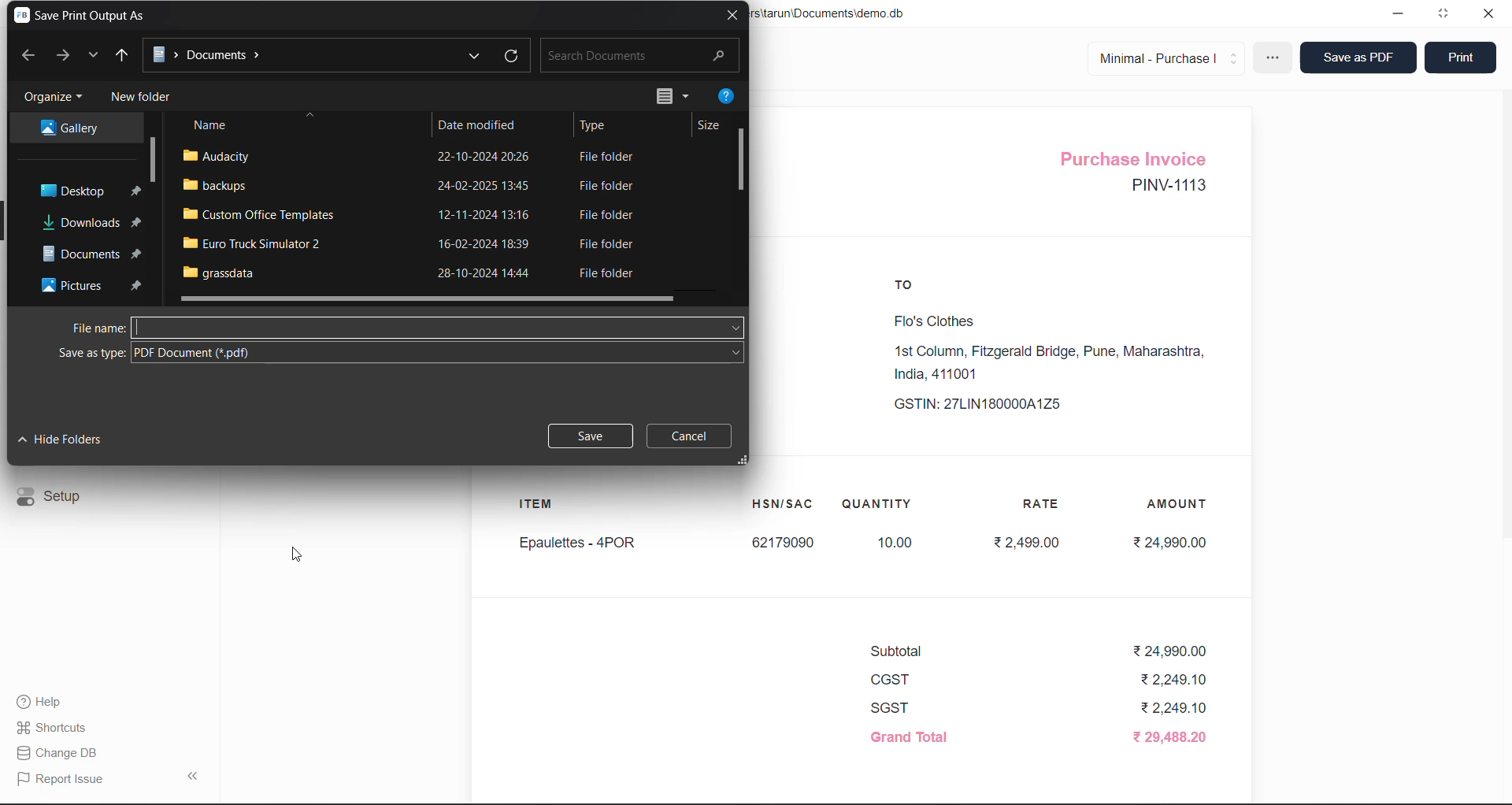  I want to click on Type, so click(598, 127).